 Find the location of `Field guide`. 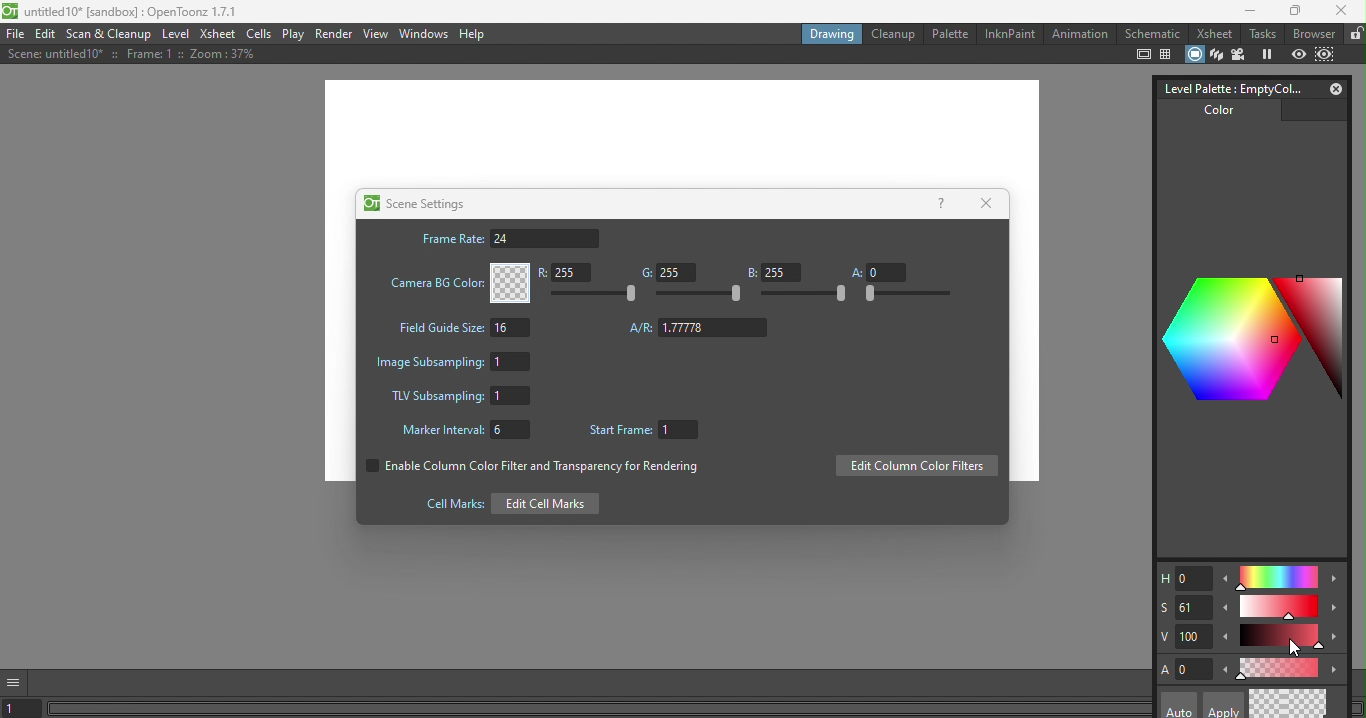

Field guide is located at coordinates (1168, 55).